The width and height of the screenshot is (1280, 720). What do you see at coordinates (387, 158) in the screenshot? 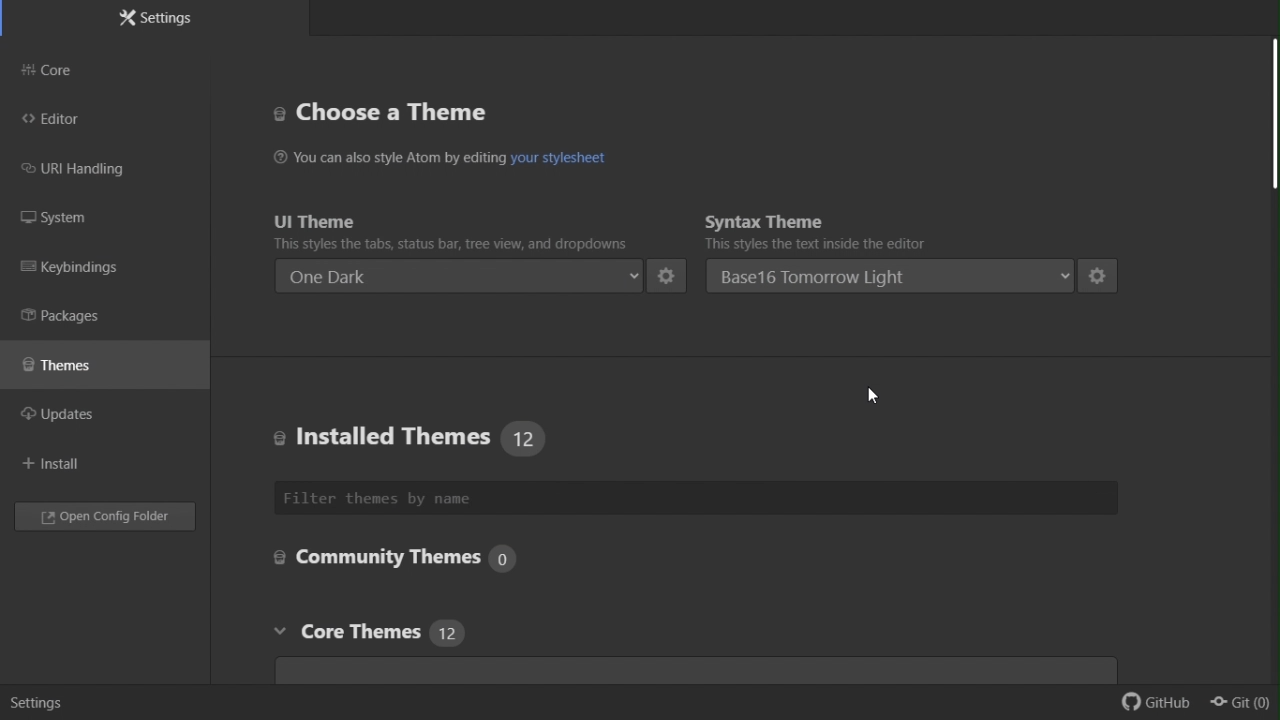
I see `You can also style Atom by editing` at bounding box center [387, 158].